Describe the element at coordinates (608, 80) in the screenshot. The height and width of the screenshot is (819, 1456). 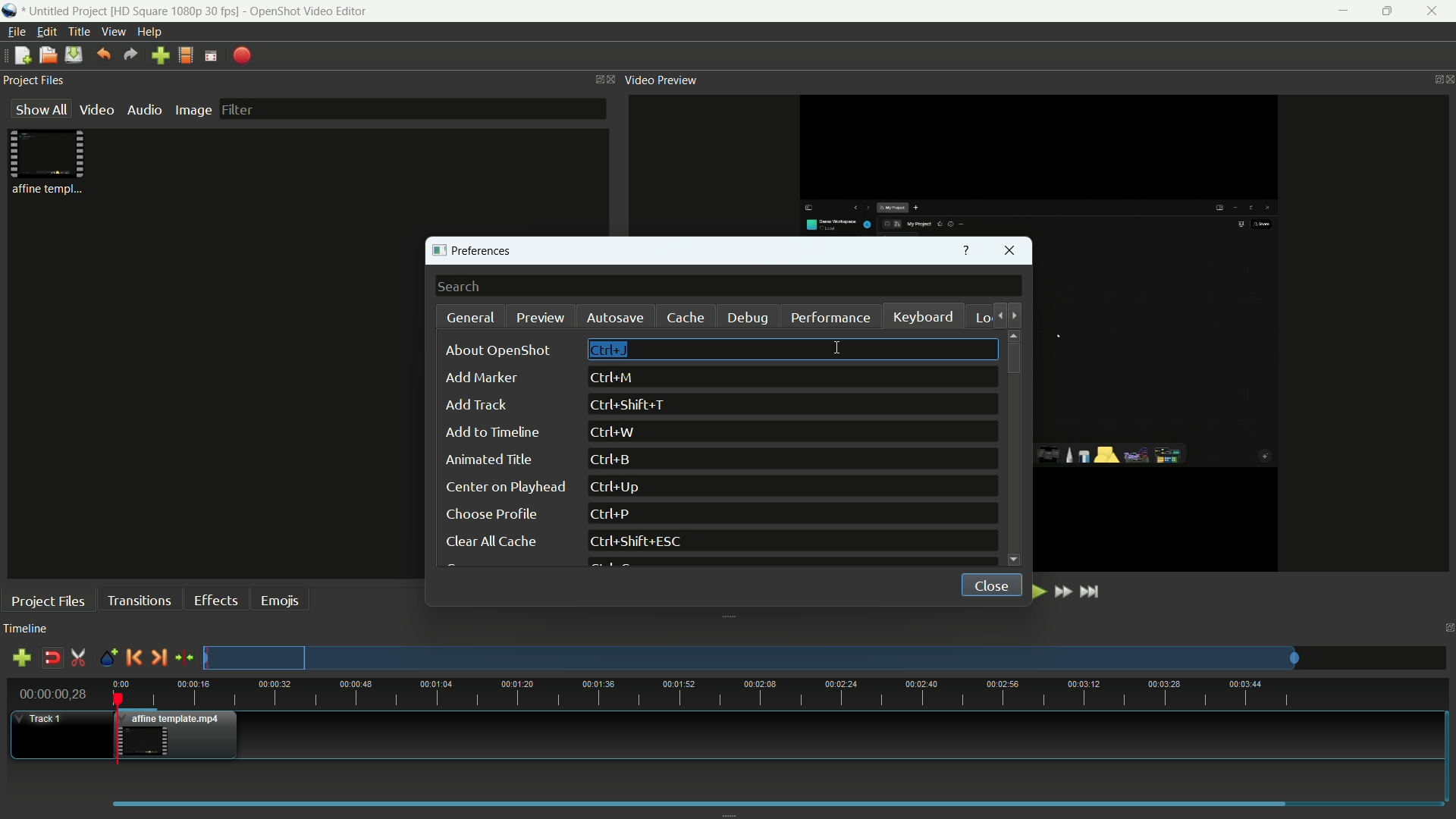
I see `close project files` at that location.